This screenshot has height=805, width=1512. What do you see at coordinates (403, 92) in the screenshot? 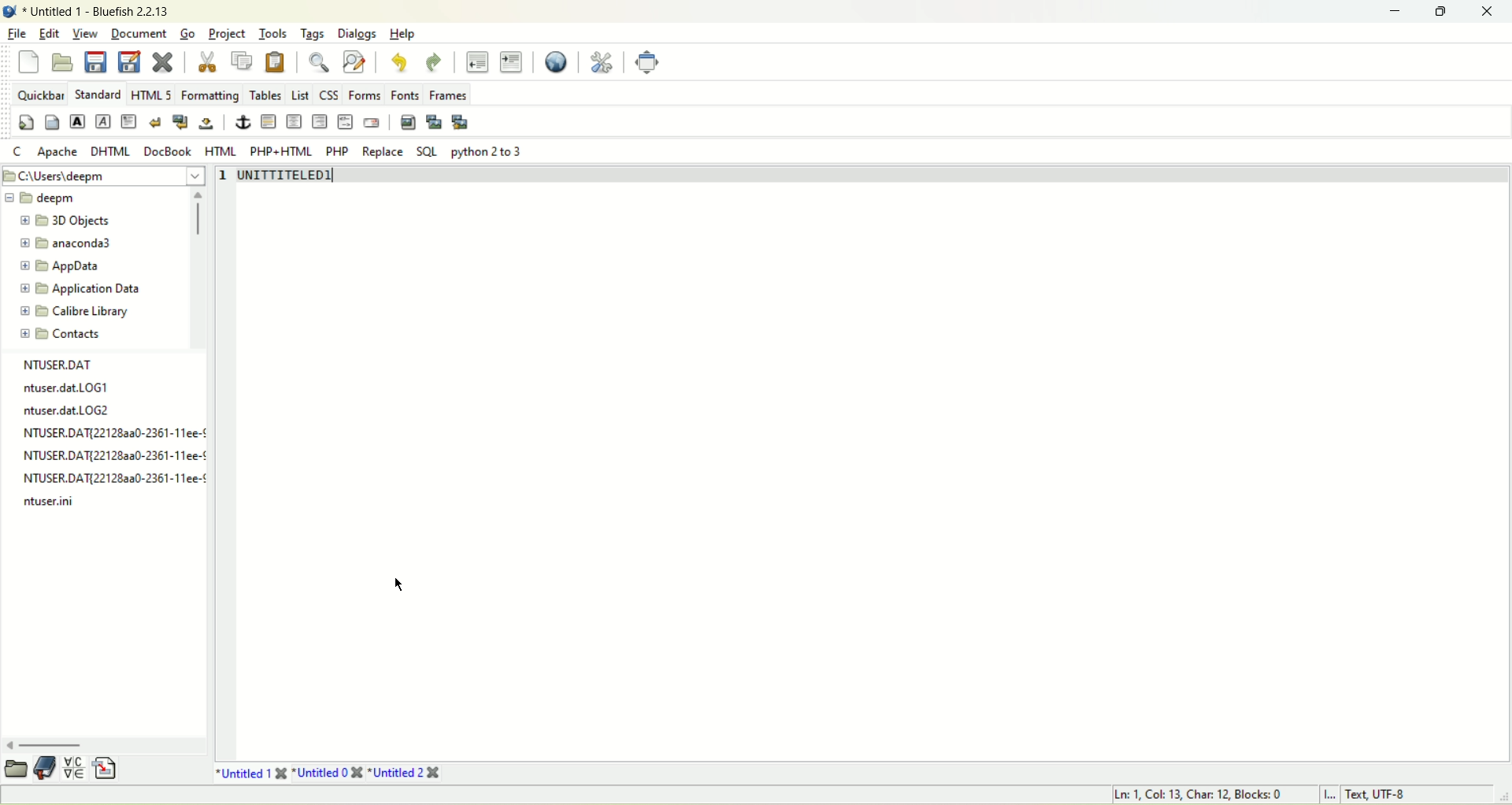
I see `Fonts ` at bounding box center [403, 92].